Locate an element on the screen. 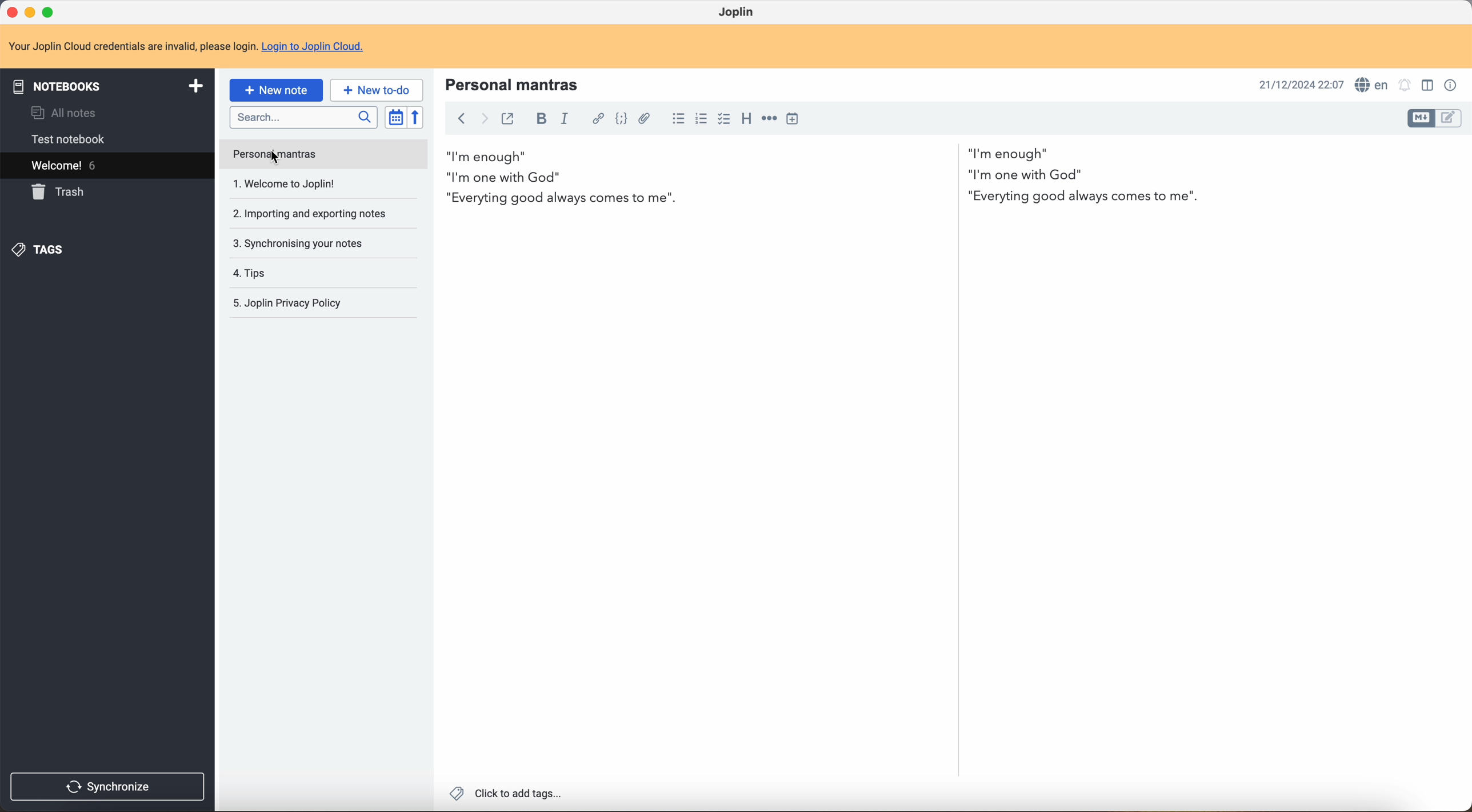 Image resolution: width=1472 pixels, height=812 pixels. toggle editor layout is located at coordinates (1451, 117).